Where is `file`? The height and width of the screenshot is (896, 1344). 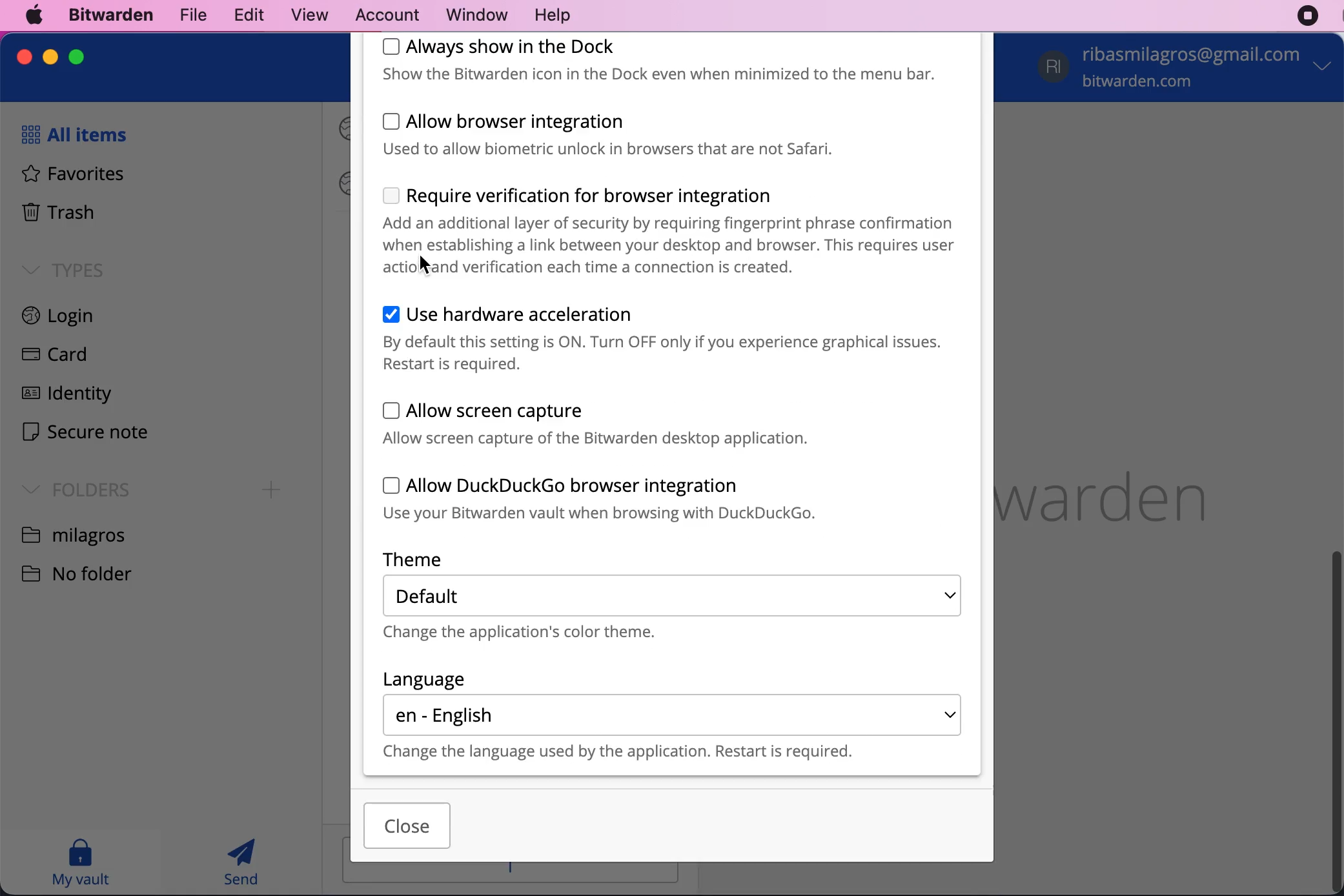 file is located at coordinates (190, 14).